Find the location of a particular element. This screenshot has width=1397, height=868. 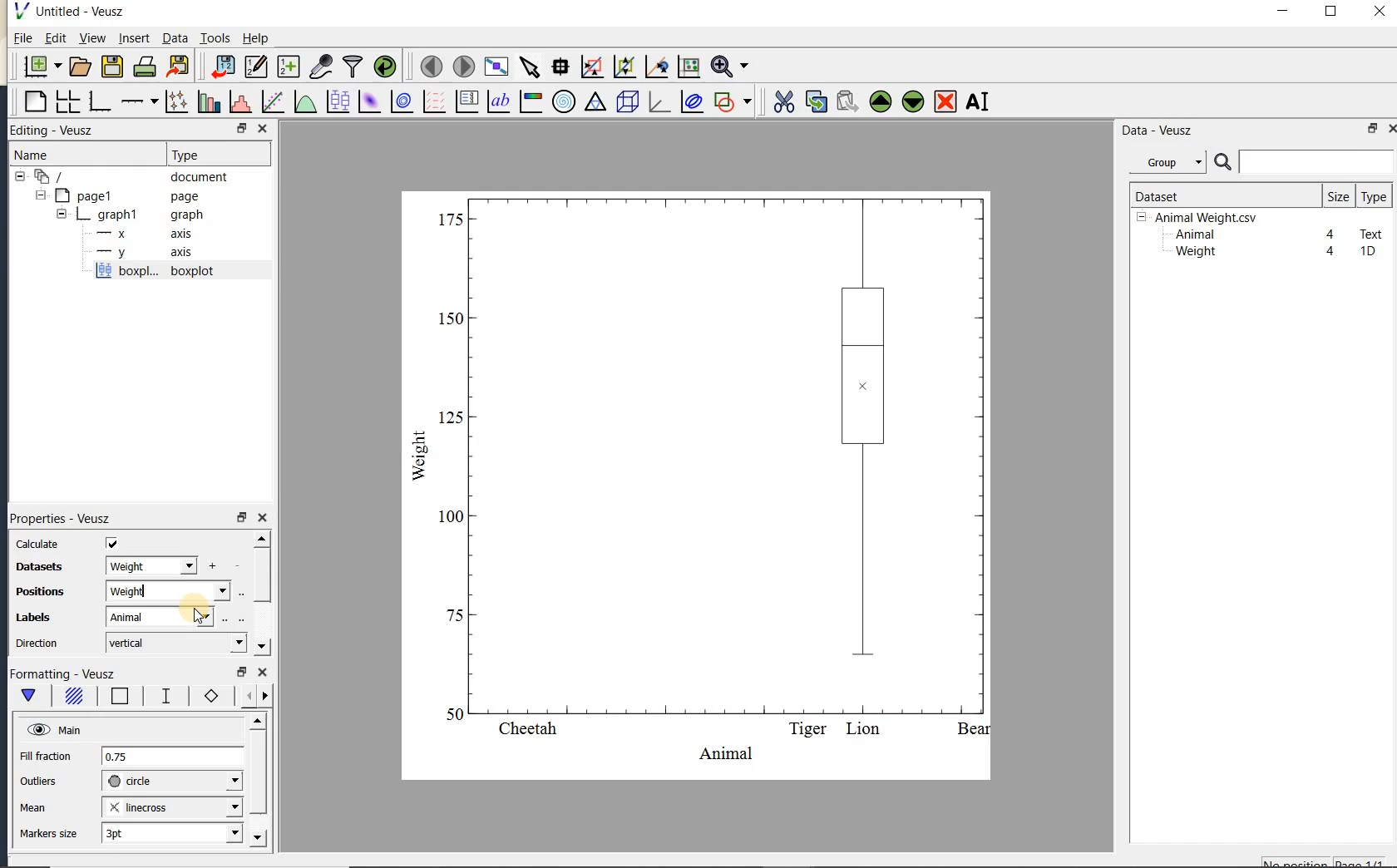

fit a function to data is located at coordinates (272, 101).